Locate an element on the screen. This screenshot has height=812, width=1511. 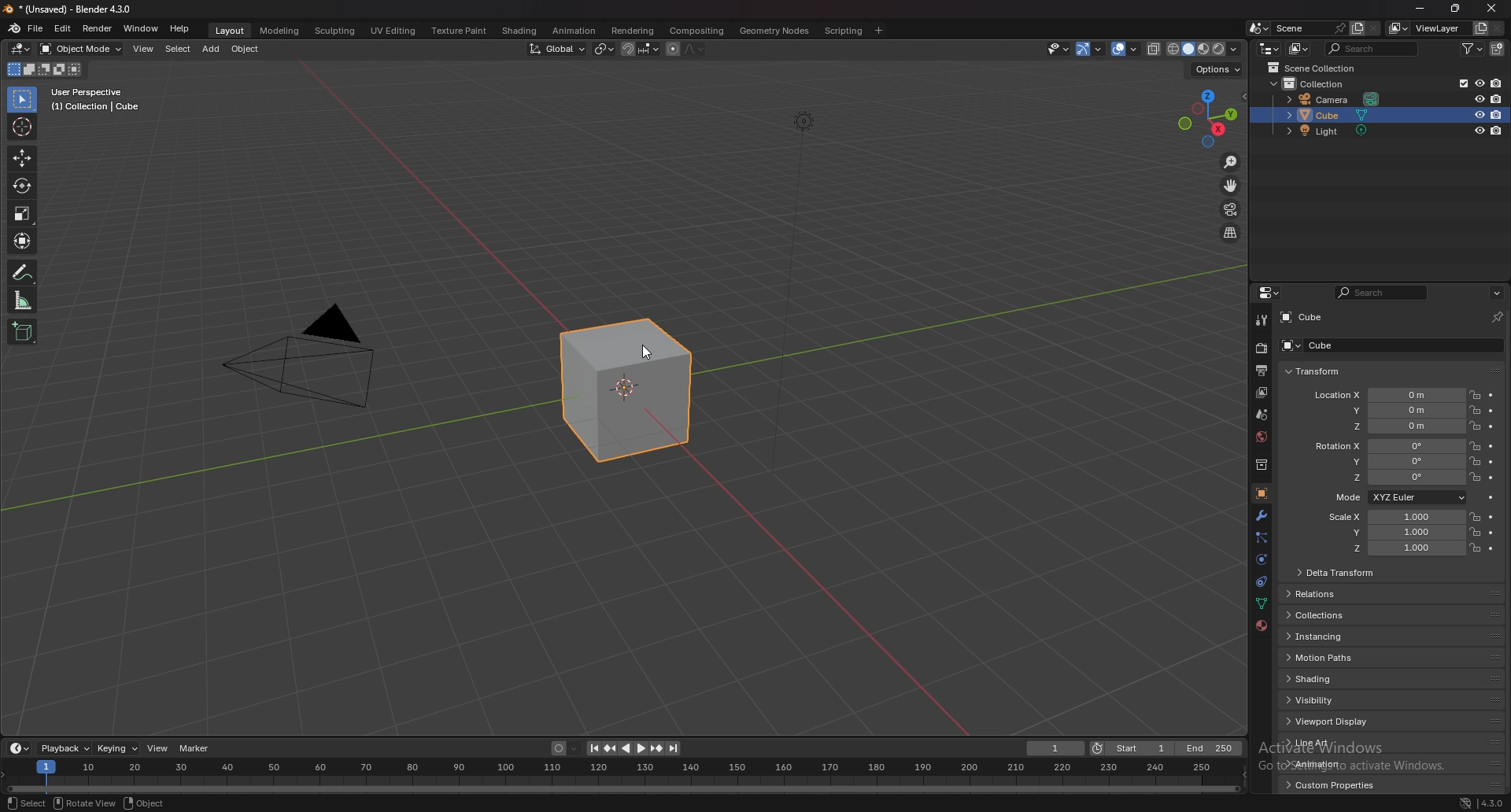
view layer is located at coordinates (1262, 393).